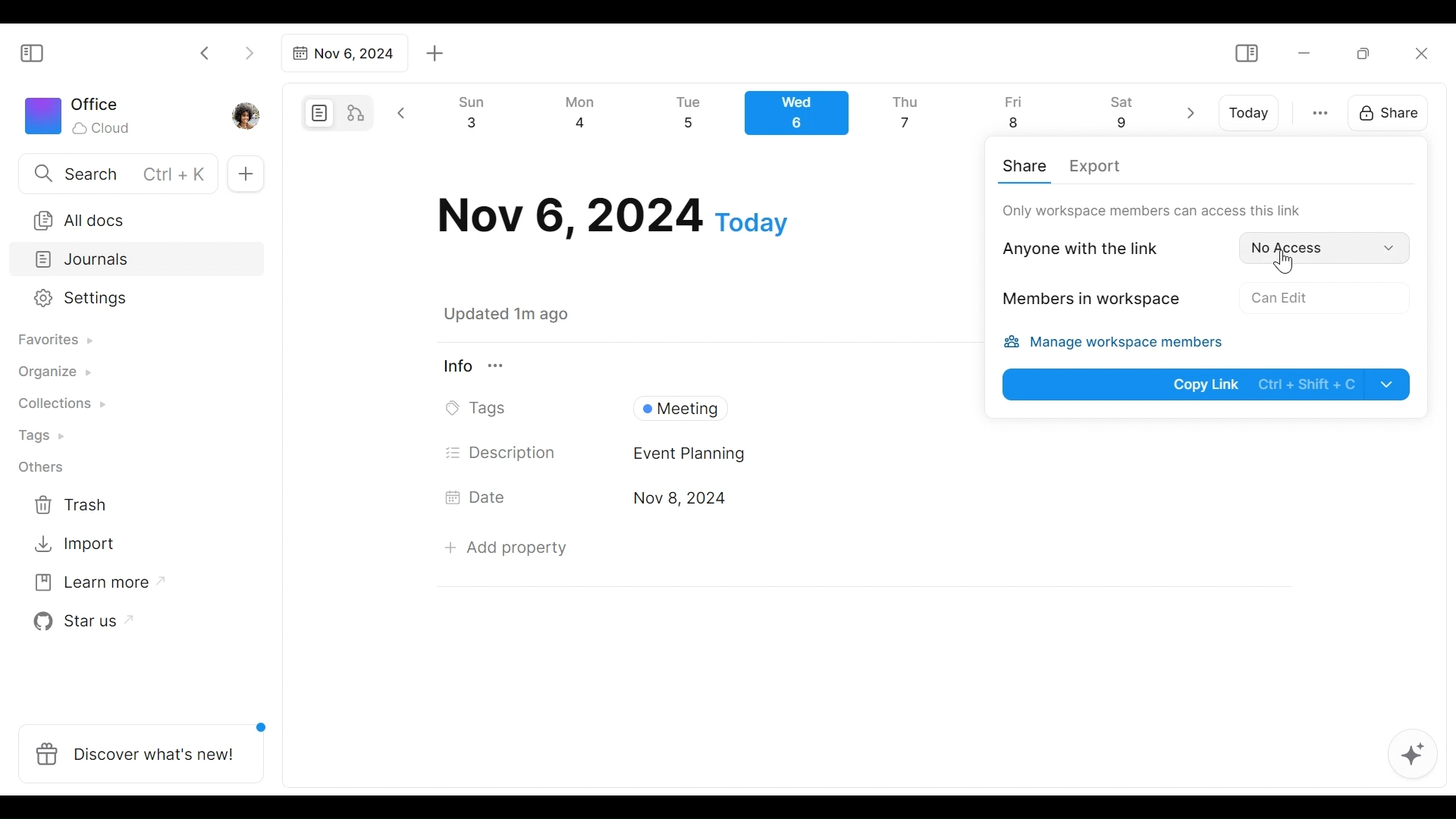 The image size is (1456, 819). I want to click on Profile photo, so click(247, 112).